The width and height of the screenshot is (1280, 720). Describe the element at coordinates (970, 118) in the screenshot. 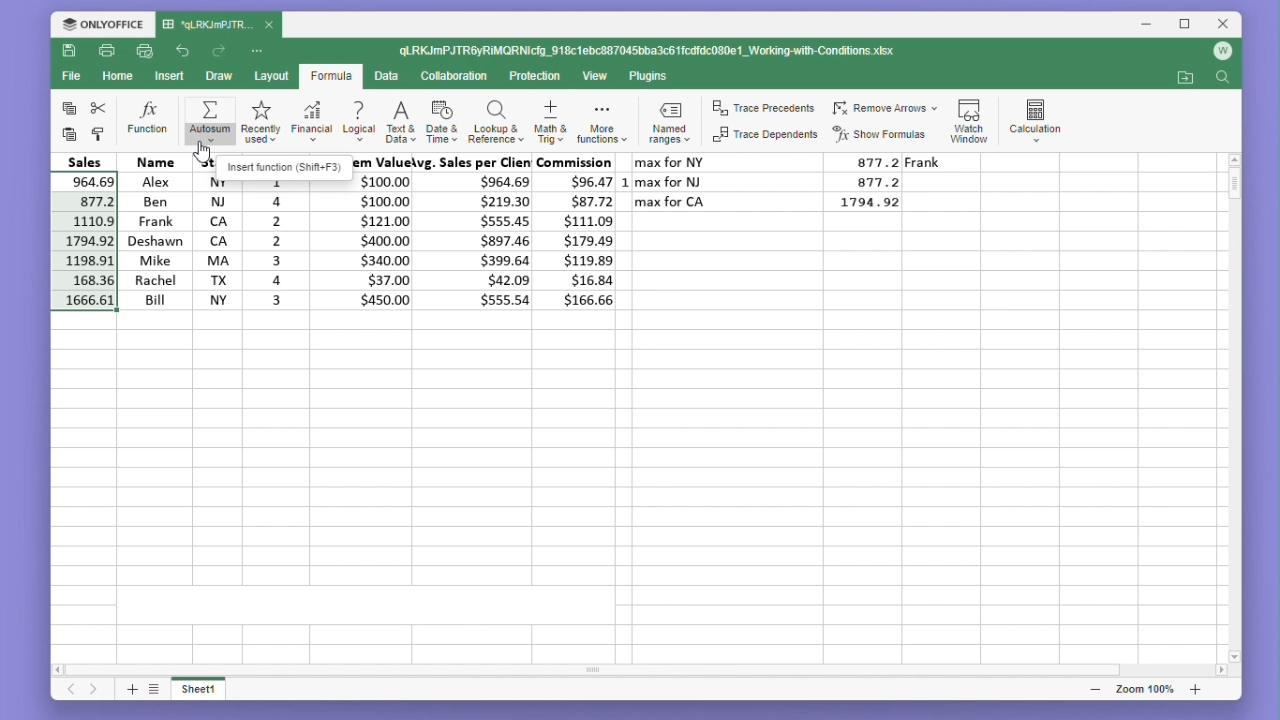

I see `Watch window` at that location.